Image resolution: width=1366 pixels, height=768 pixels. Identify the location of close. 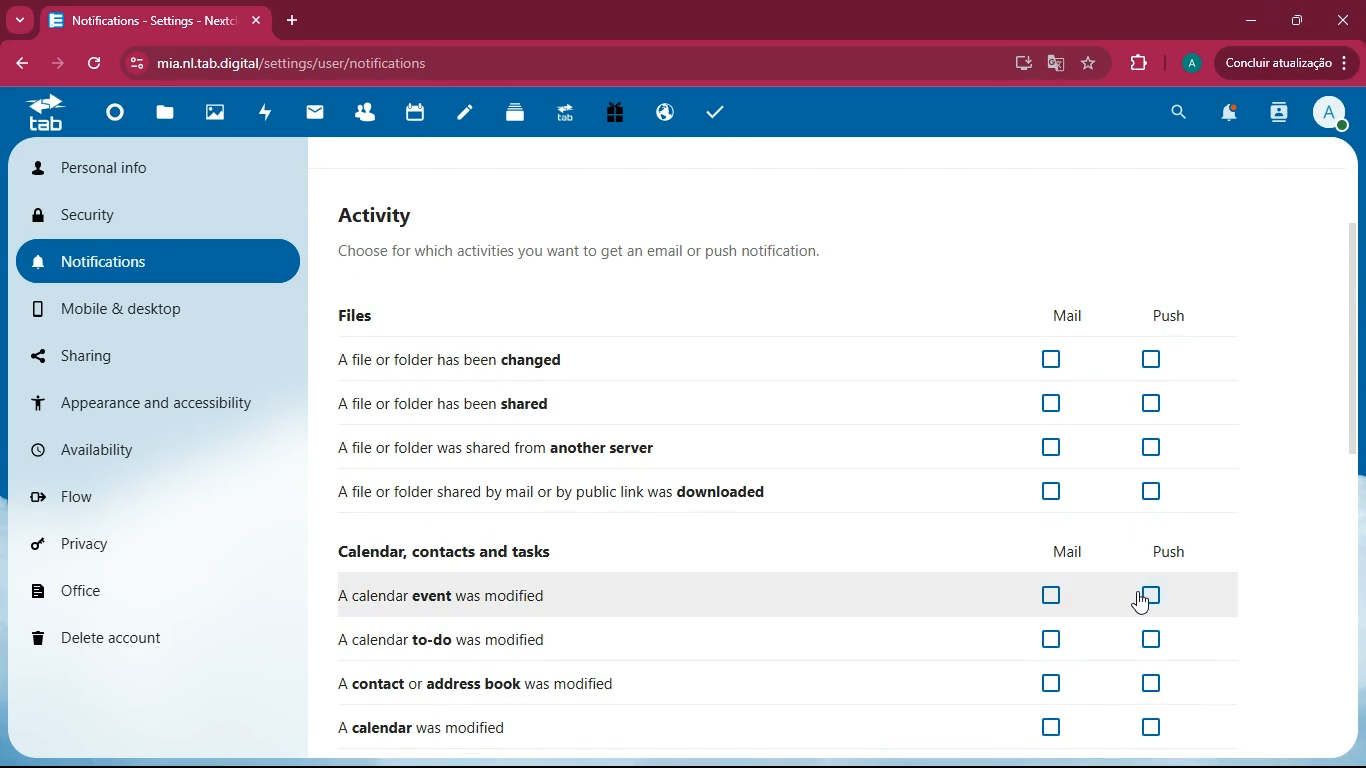
(1346, 20).